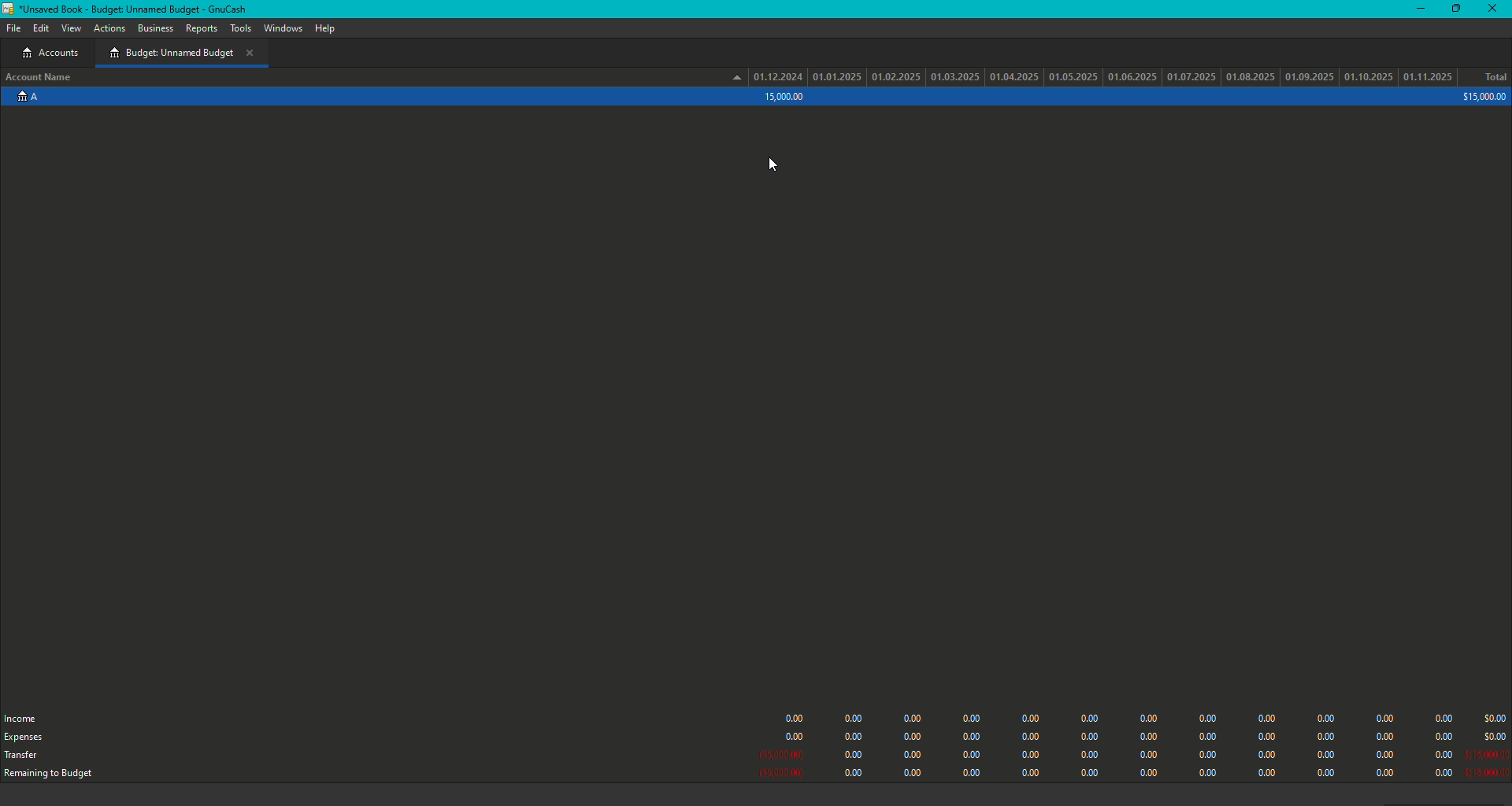 The image size is (1512, 806). I want to click on Reports, so click(201, 31).